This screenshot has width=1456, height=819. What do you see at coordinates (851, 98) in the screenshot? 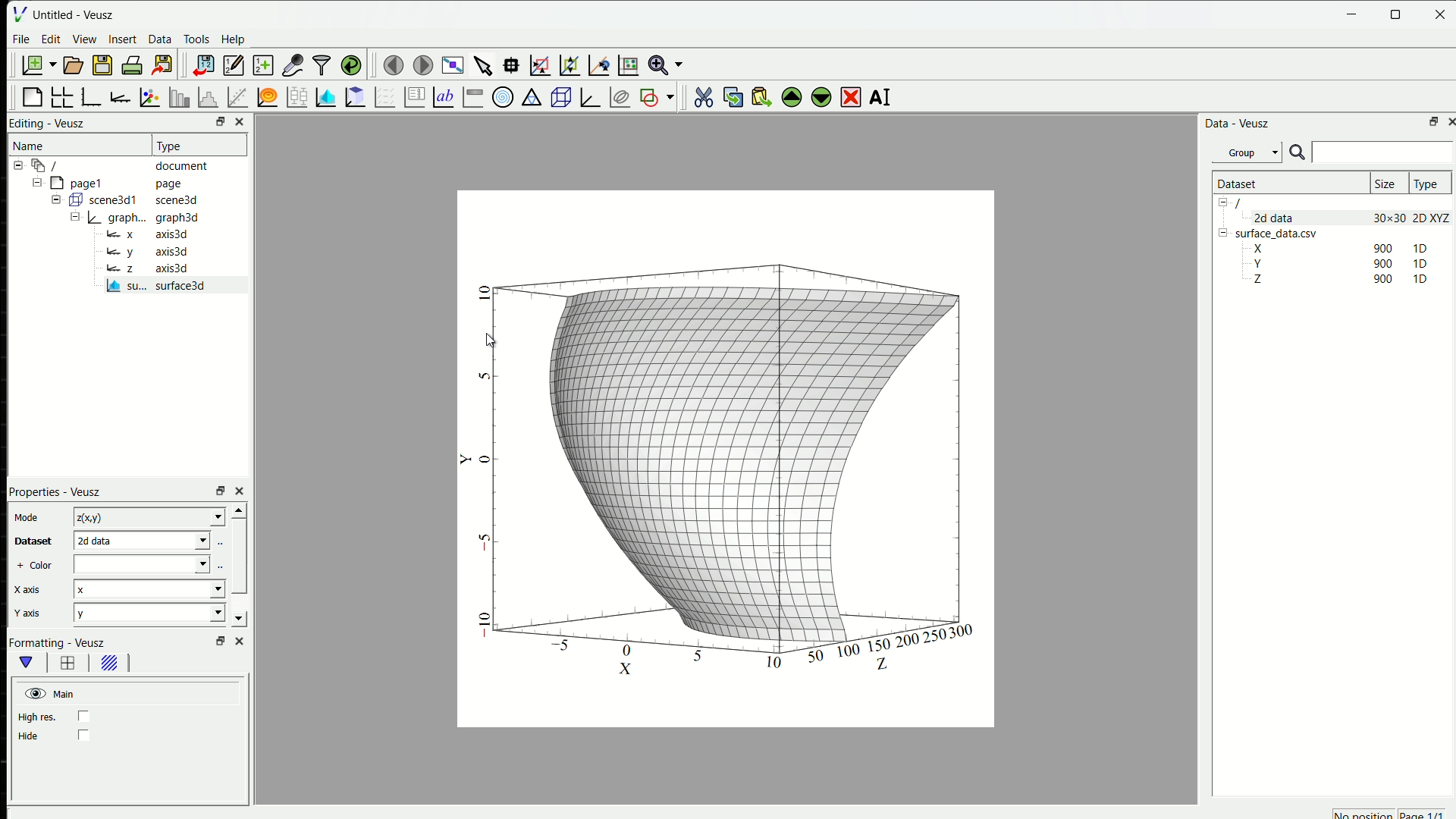
I see `delete` at bounding box center [851, 98].